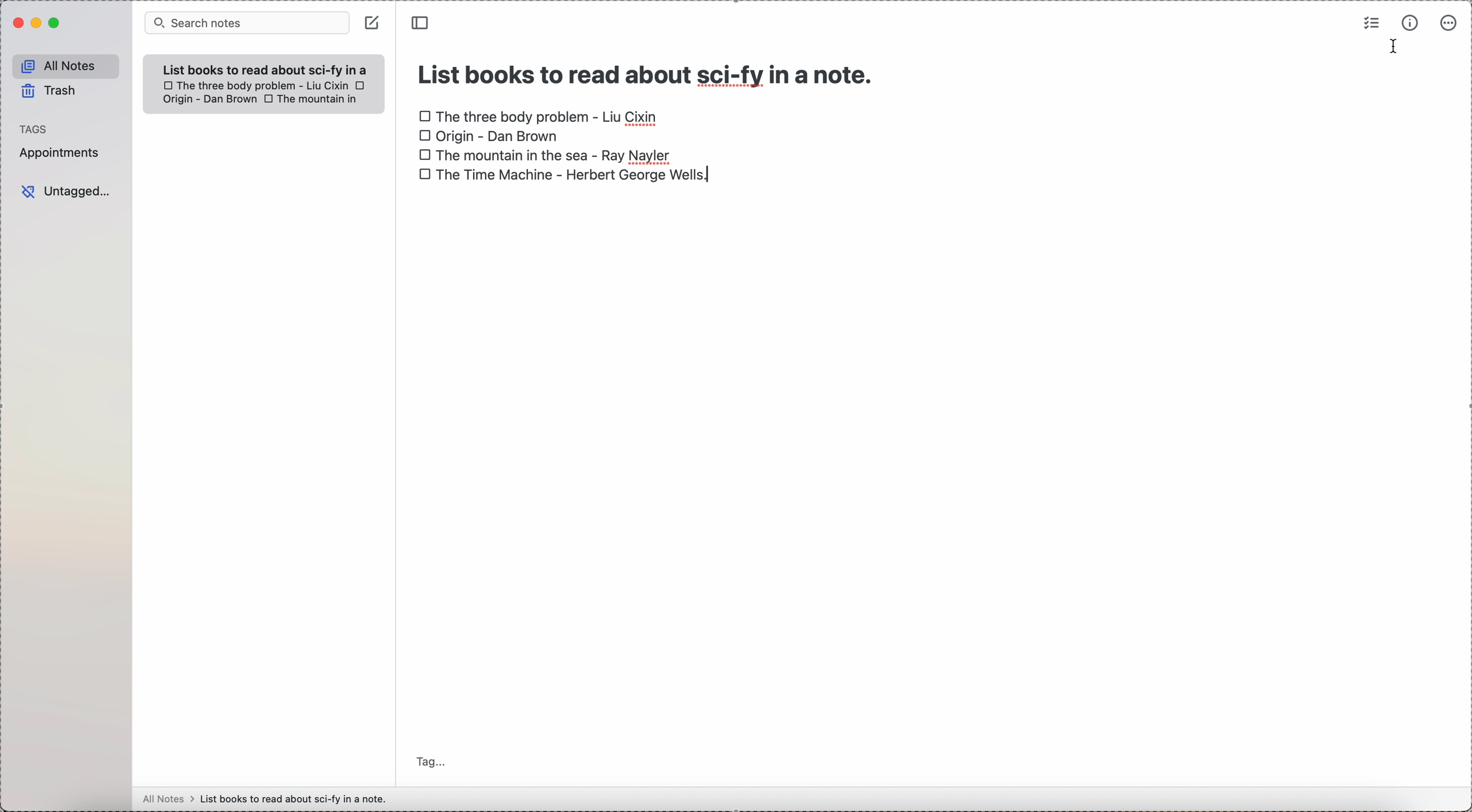  What do you see at coordinates (54, 25) in the screenshot?
I see `maximize` at bounding box center [54, 25].